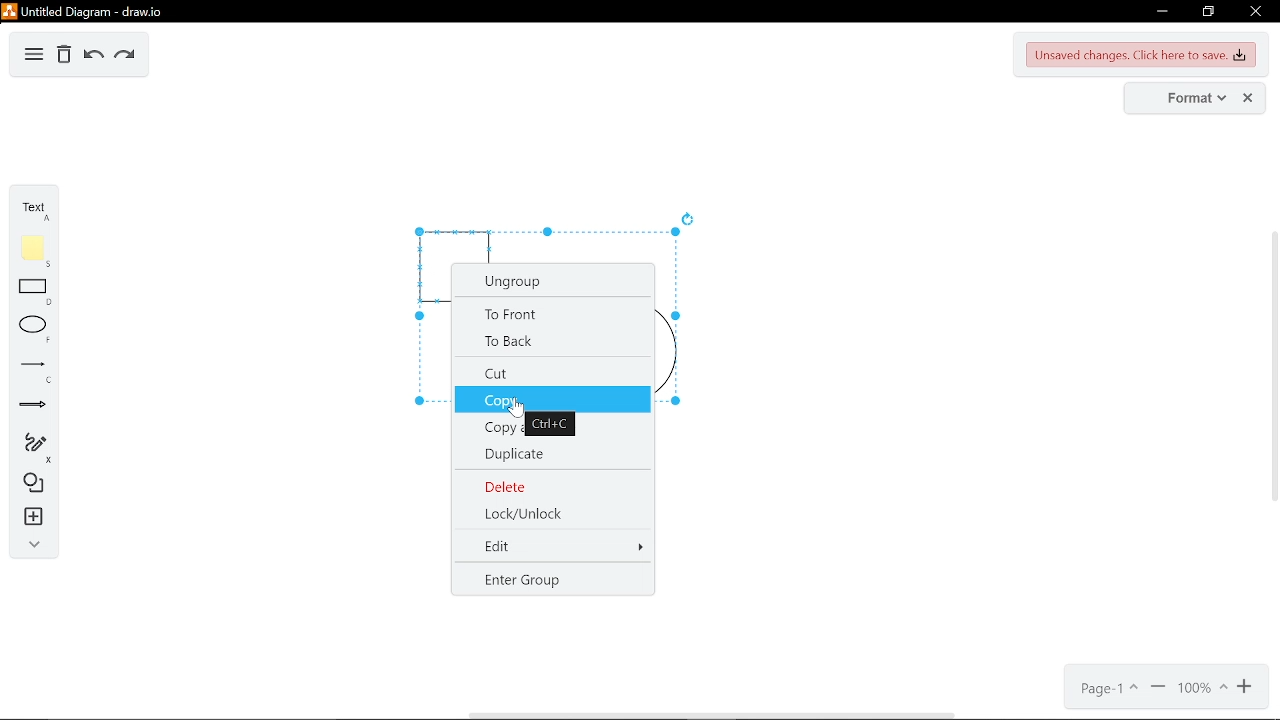 The height and width of the screenshot is (720, 1280). I want to click on rectangle, so click(34, 293).